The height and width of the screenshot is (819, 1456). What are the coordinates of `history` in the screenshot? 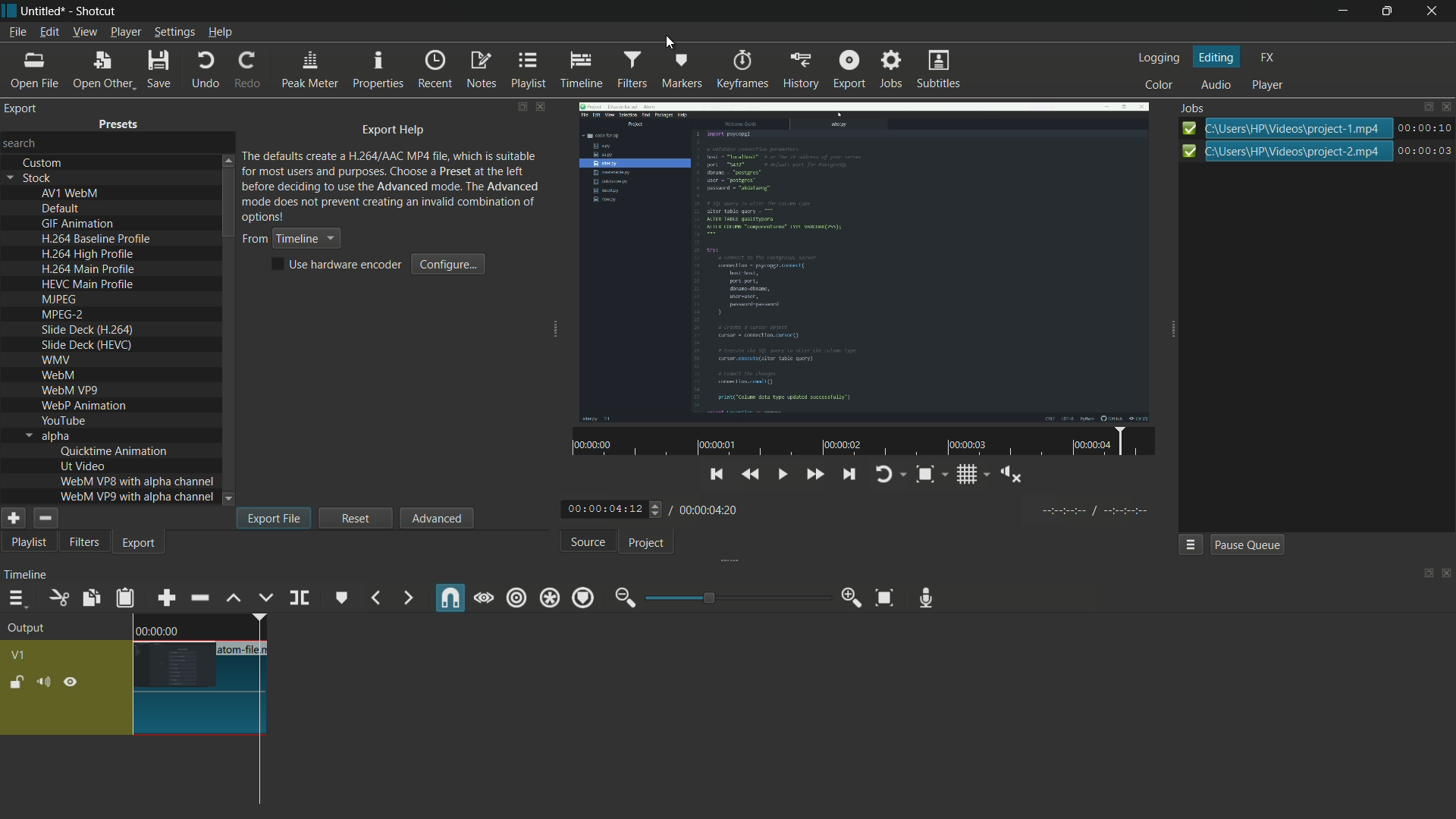 It's located at (803, 71).